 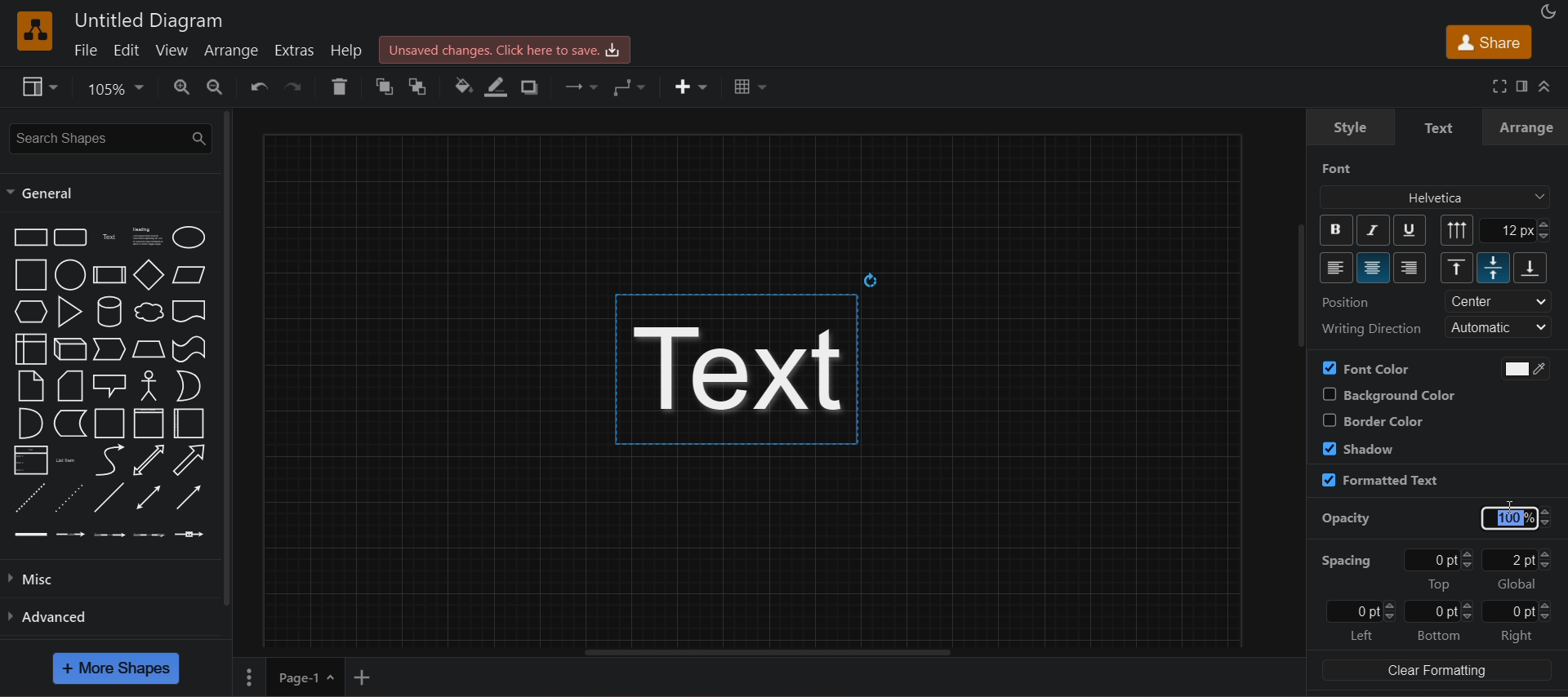 What do you see at coordinates (422, 85) in the screenshot?
I see `t ofront` at bounding box center [422, 85].